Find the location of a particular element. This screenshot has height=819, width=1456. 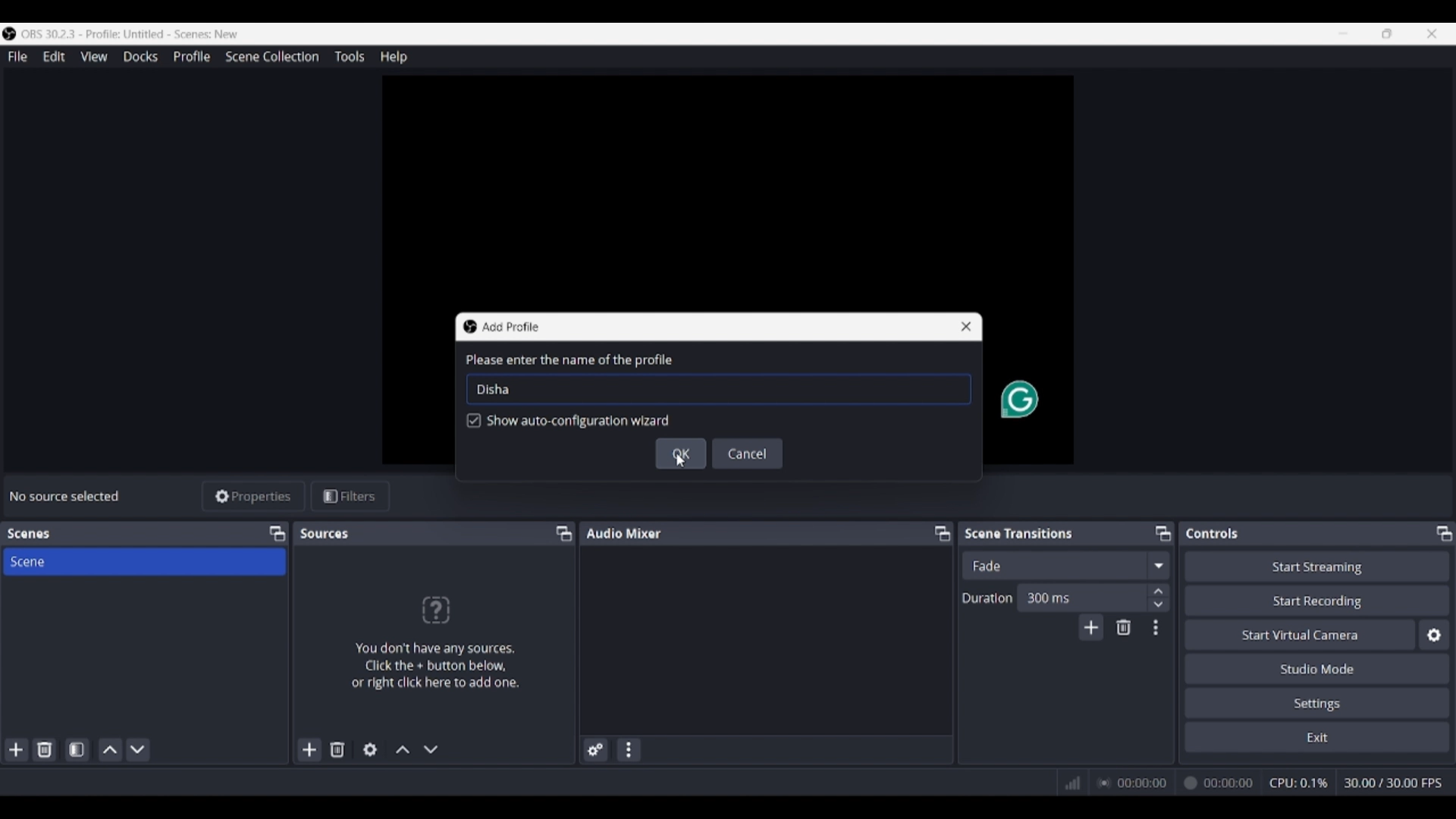

Panel title is located at coordinates (1019, 532).